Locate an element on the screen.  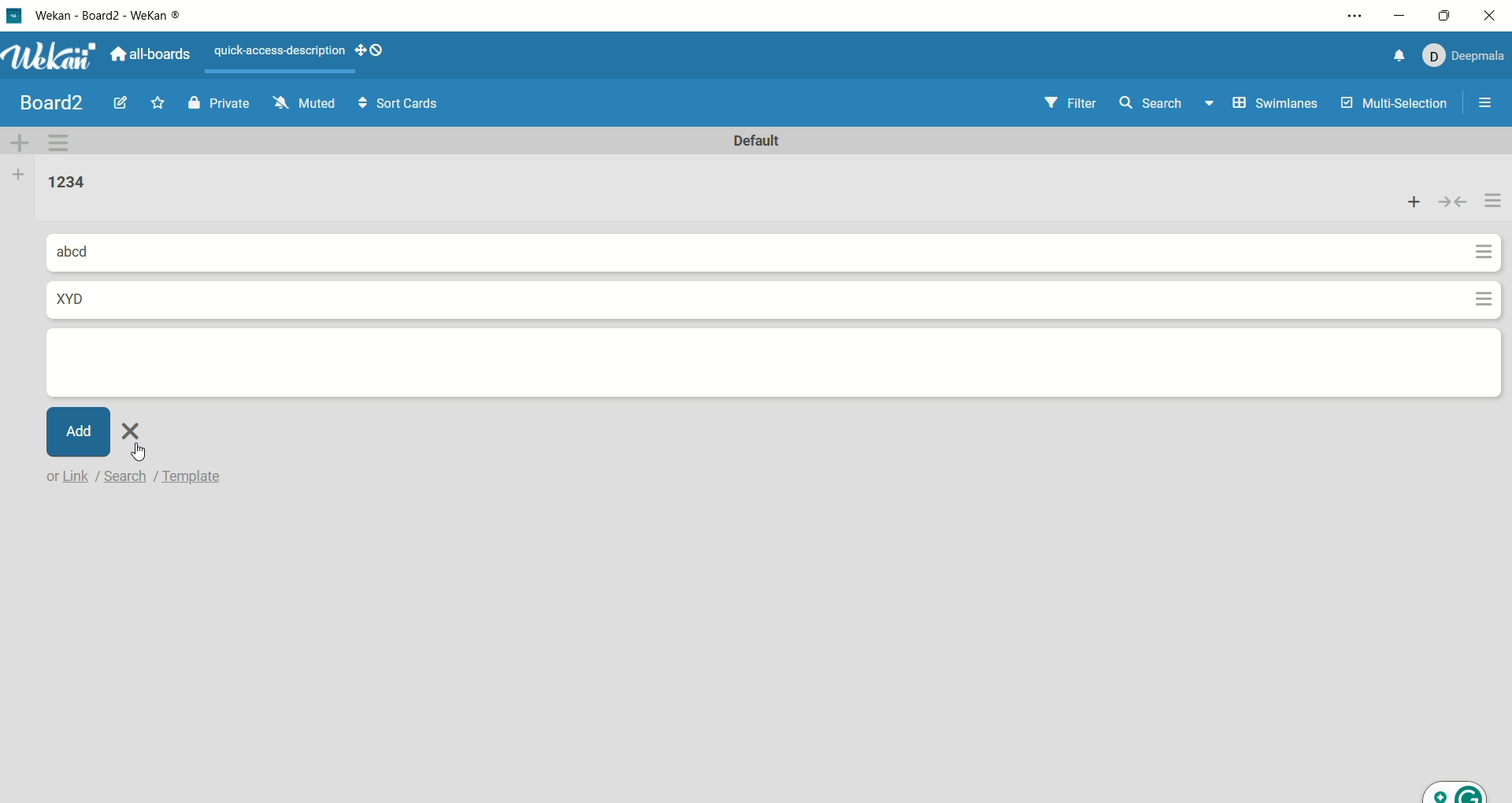
open/close sidebar is located at coordinates (1488, 107).